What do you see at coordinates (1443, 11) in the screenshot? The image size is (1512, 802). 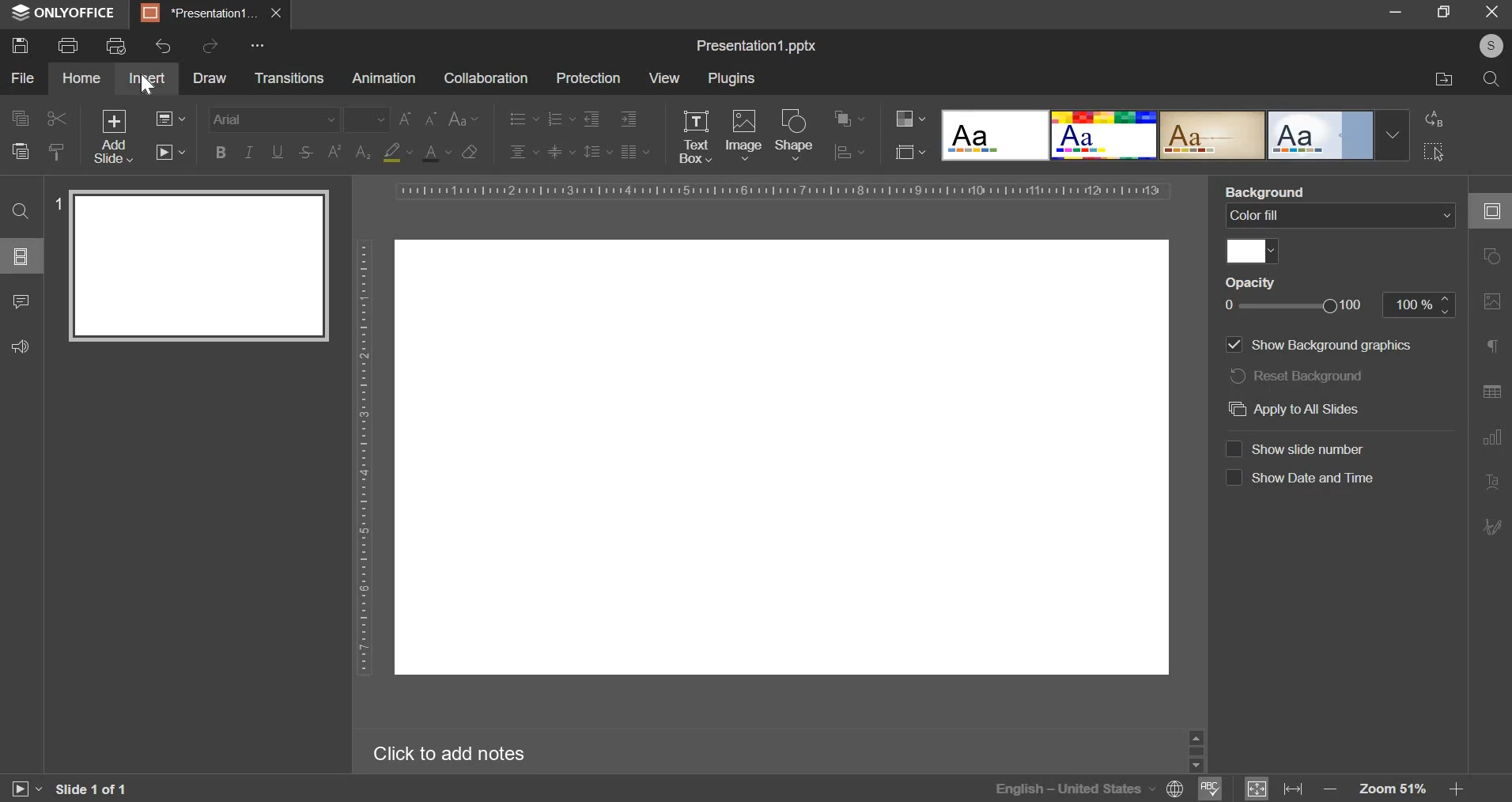 I see `full screen` at bounding box center [1443, 11].